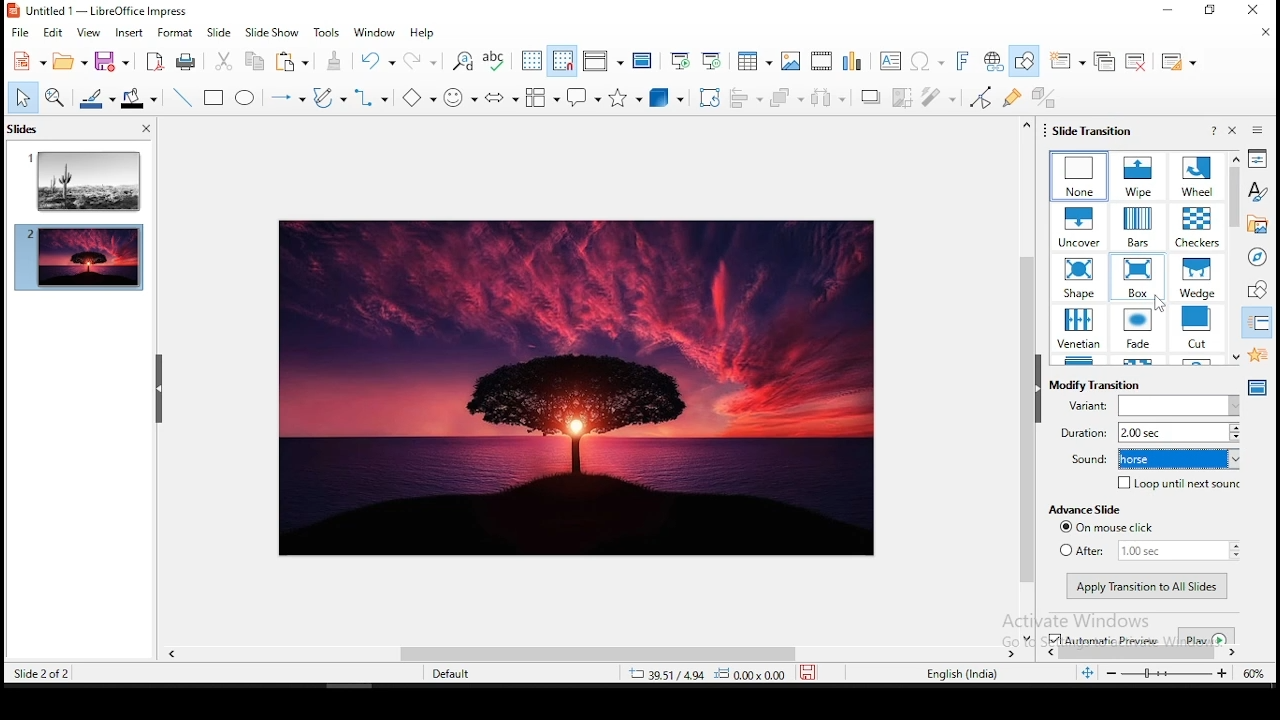  Describe the element at coordinates (806, 676) in the screenshot. I see `save` at that location.